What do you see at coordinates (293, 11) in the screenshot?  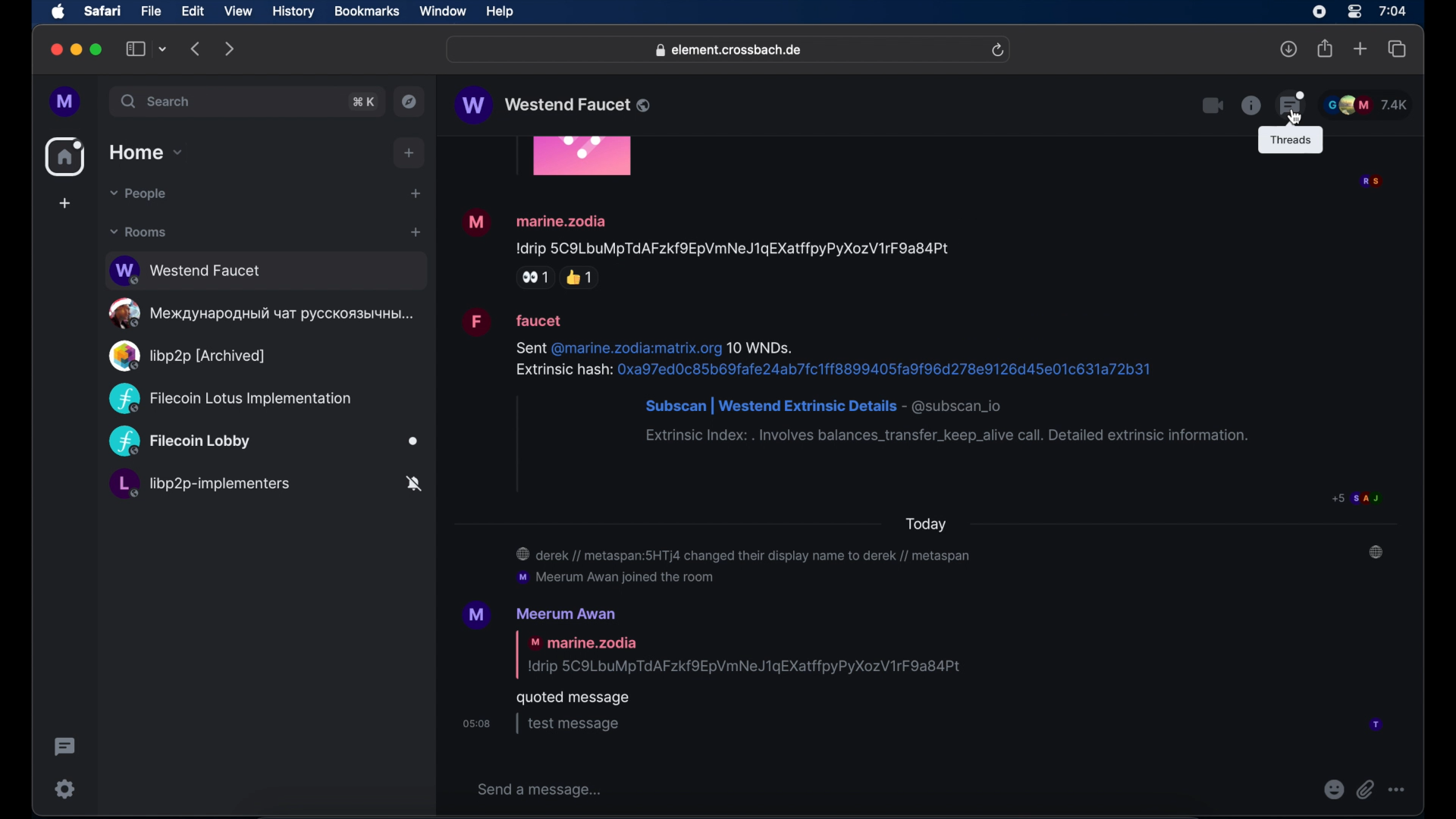 I see `history` at bounding box center [293, 11].